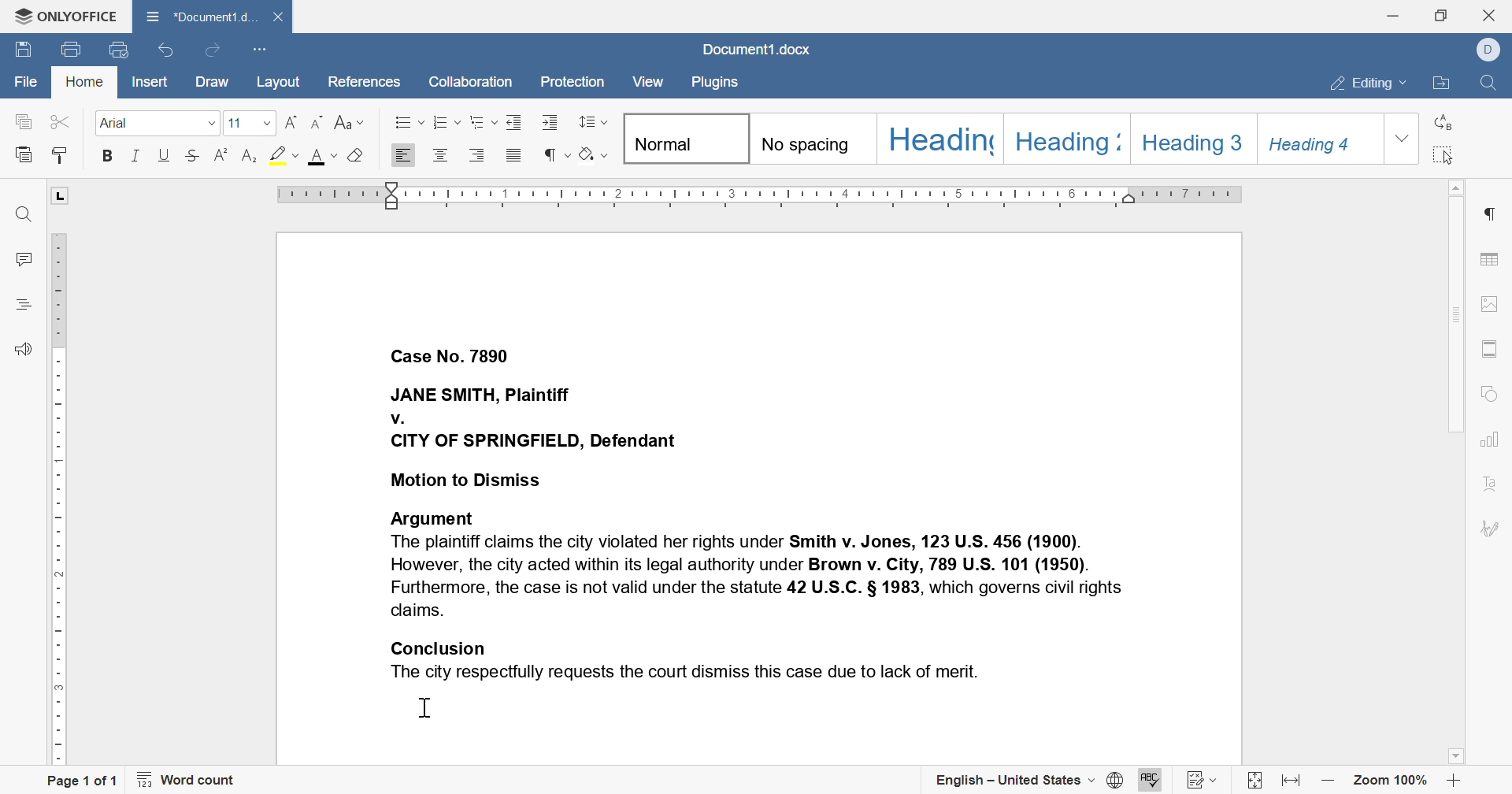 The image size is (1512, 794). I want to click on zoom 100%, so click(1392, 779).